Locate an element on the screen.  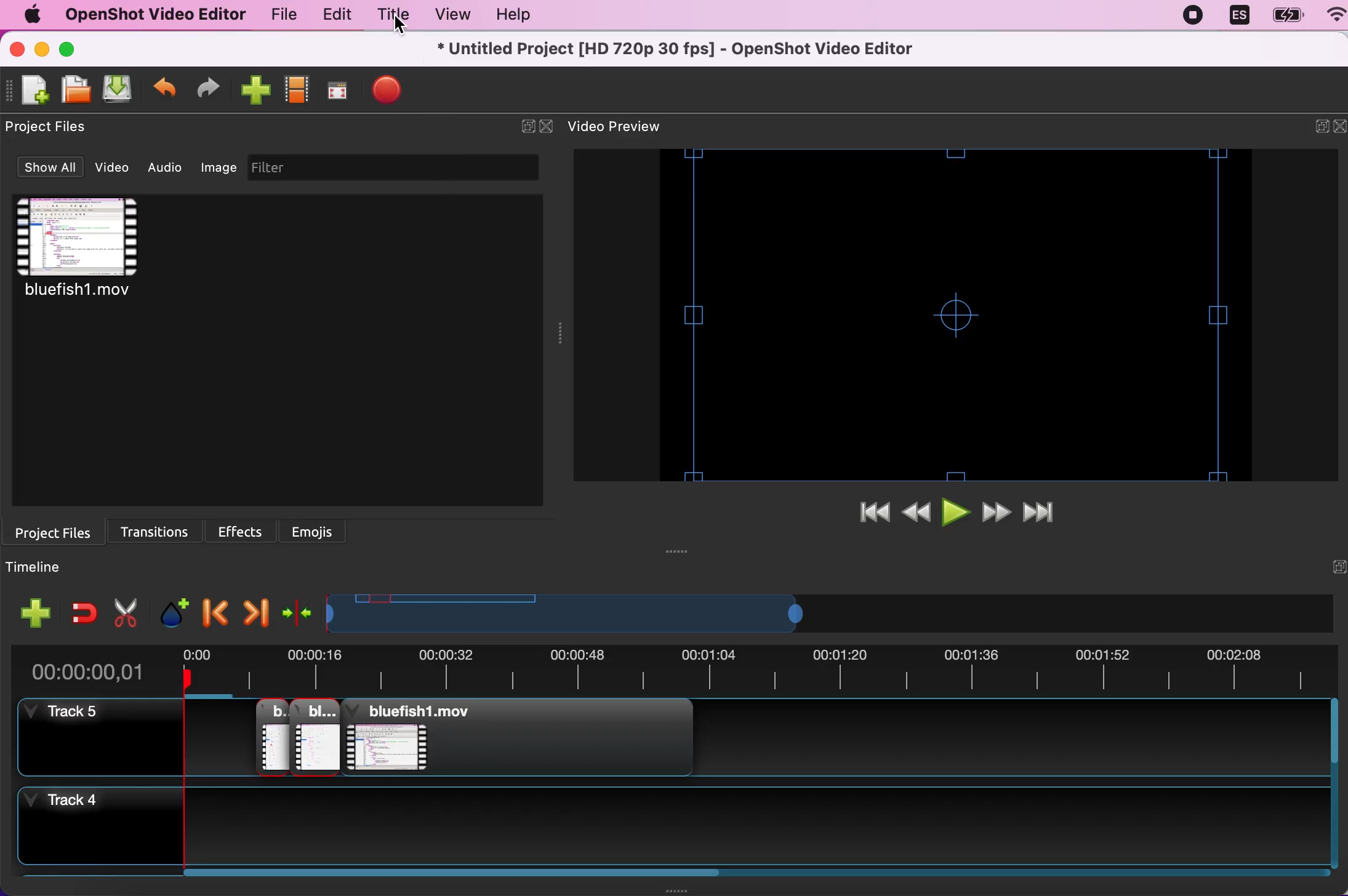
file is located at coordinates (279, 17).